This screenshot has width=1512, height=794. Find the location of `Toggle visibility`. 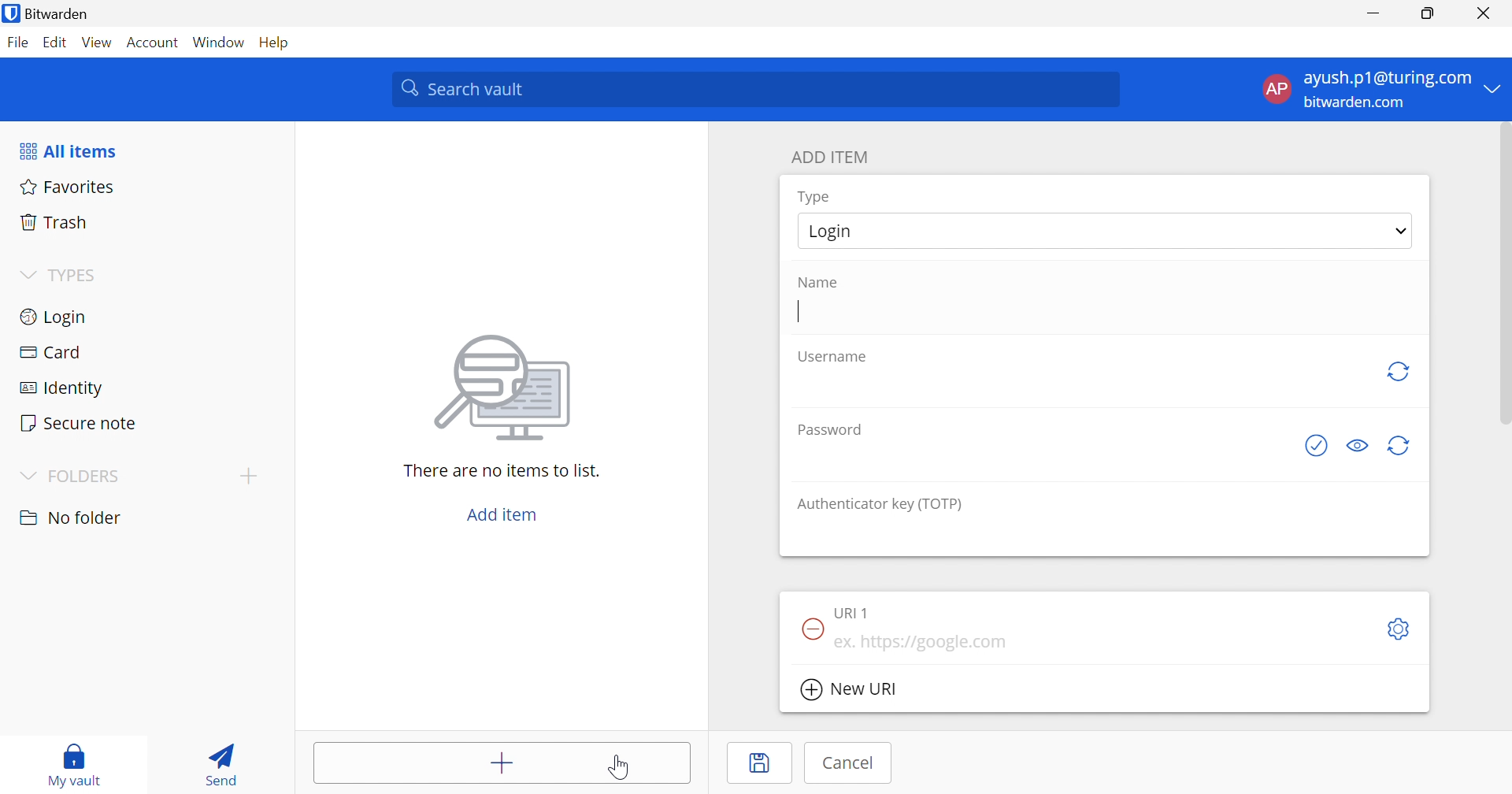

Toggle visibility is located at coordinates (1359, 446).